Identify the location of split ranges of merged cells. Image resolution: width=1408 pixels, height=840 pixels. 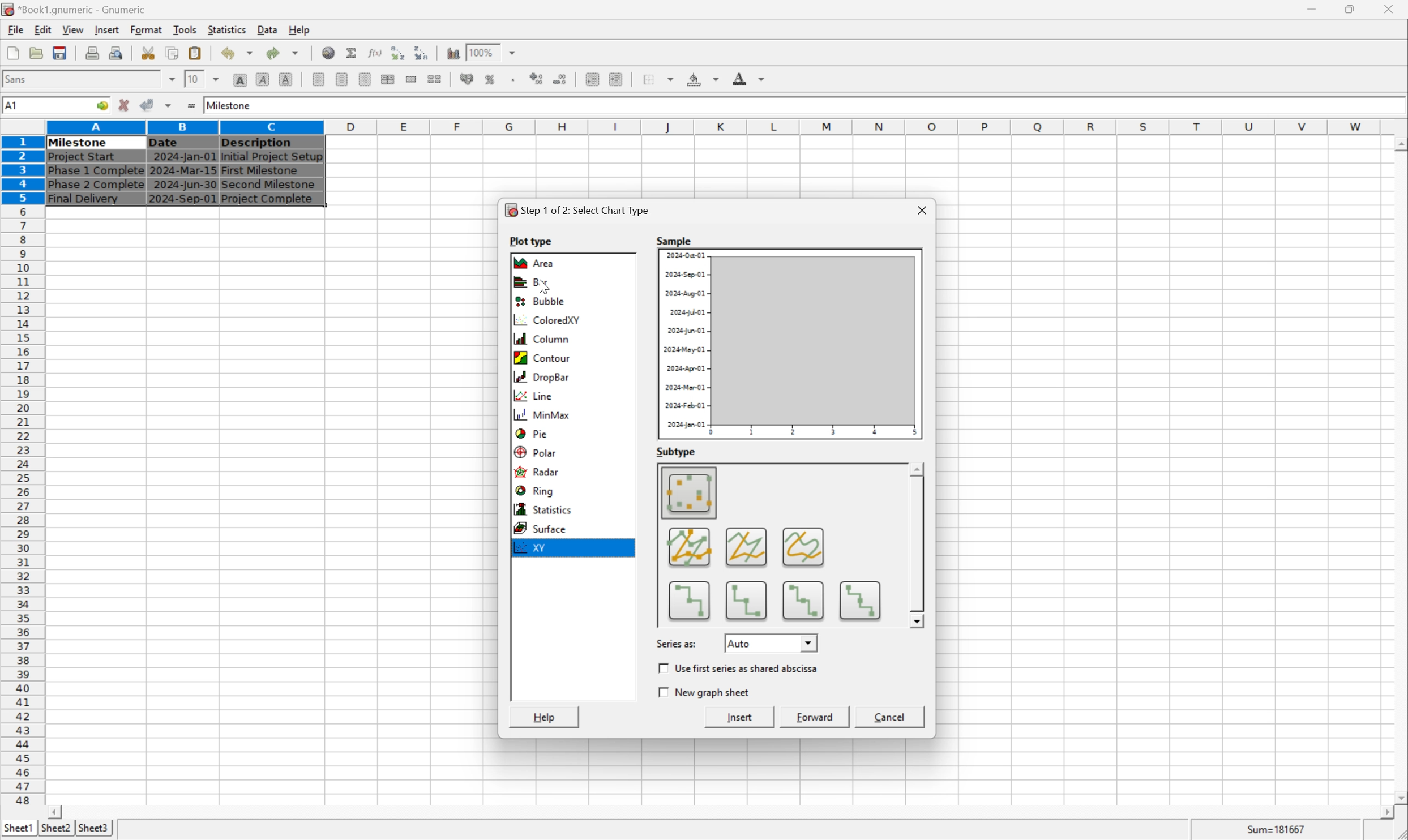
(436, 79).